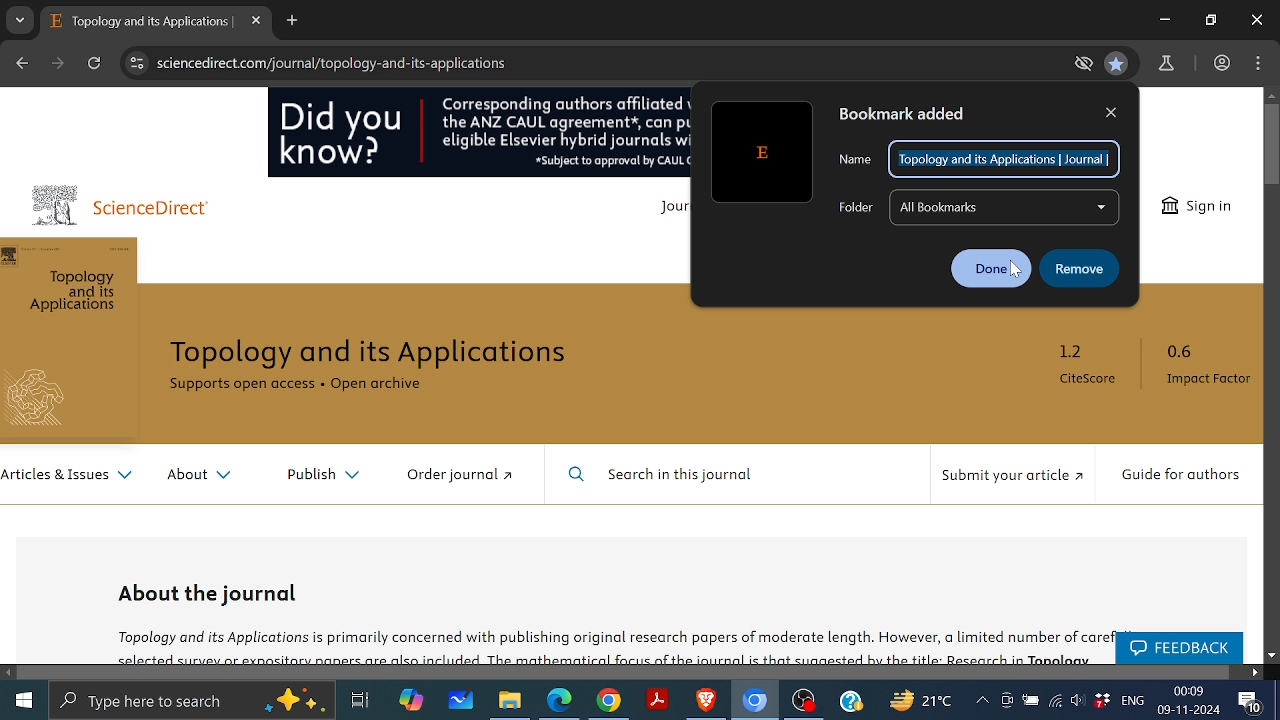 The width and height of the screenshot is (1280, 720). I want to click on Topology and its Applications | Journal |, so click(1003, 161).